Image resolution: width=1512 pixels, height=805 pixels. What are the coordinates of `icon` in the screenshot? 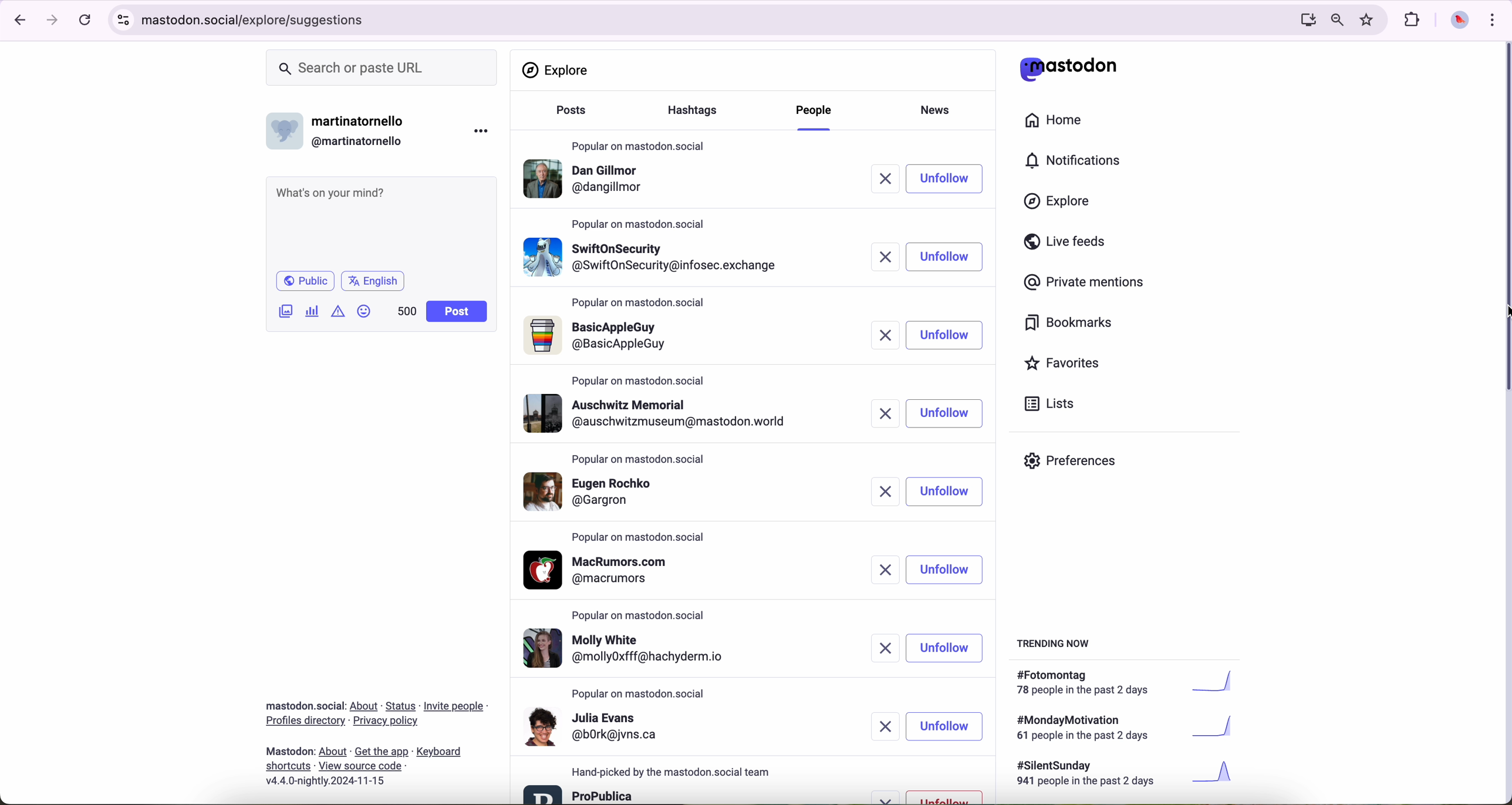 It's located at (339, 311).